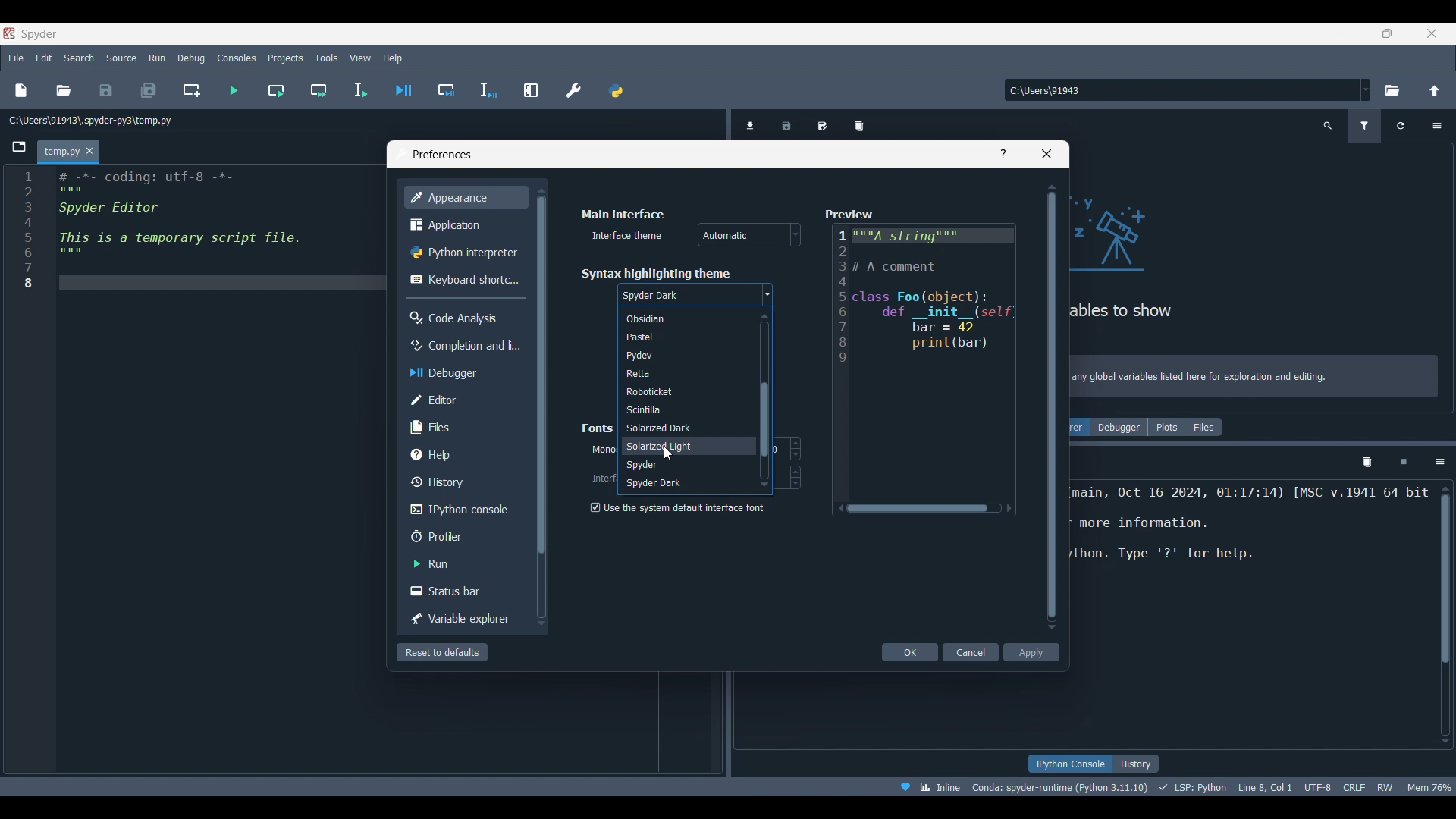  What do you see at coordinates (1193, 787) in the screenshot?
I see `programming language` at bounding box center [1193, 787].